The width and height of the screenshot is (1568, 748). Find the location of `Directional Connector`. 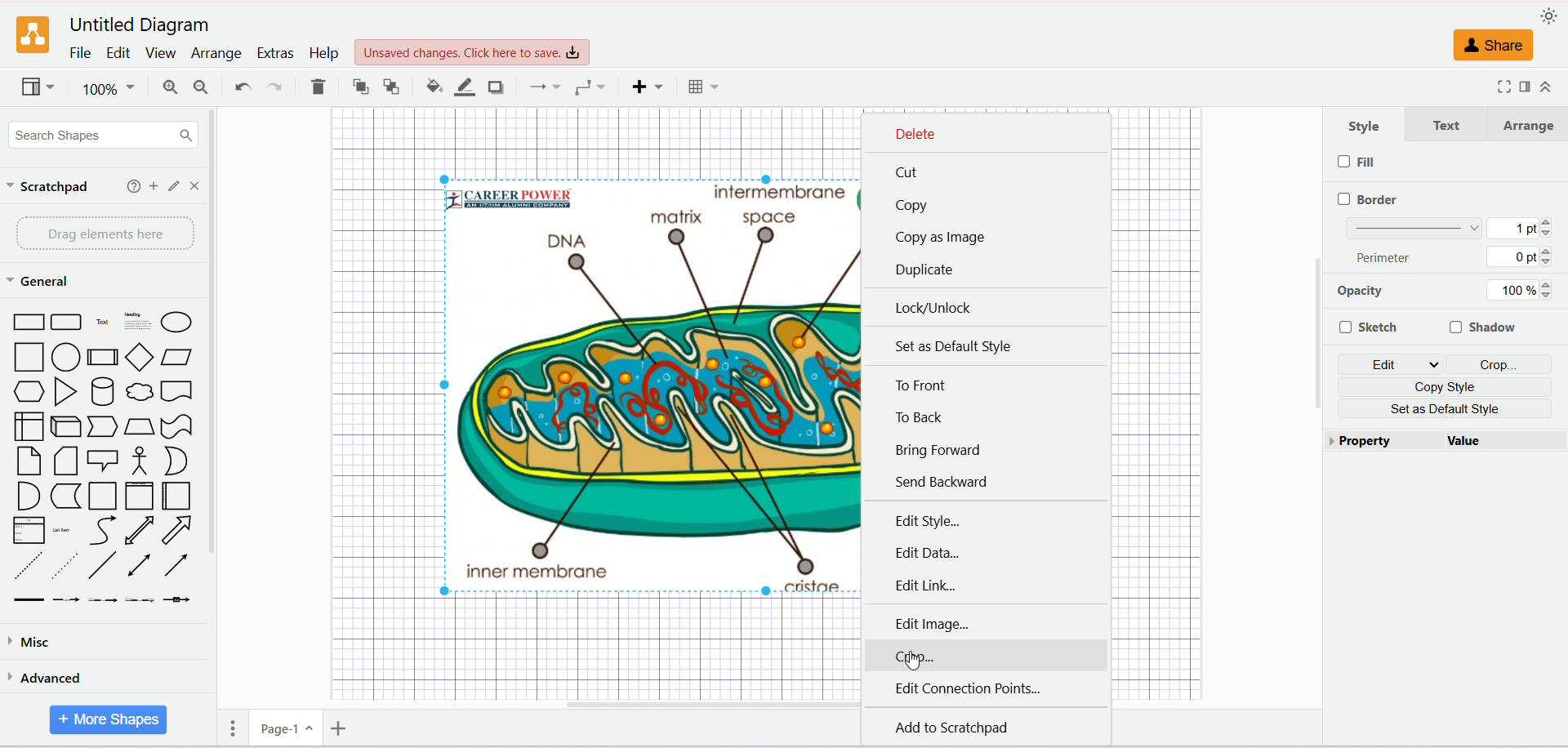

Directional Connector is located at coordinates (180, 568).